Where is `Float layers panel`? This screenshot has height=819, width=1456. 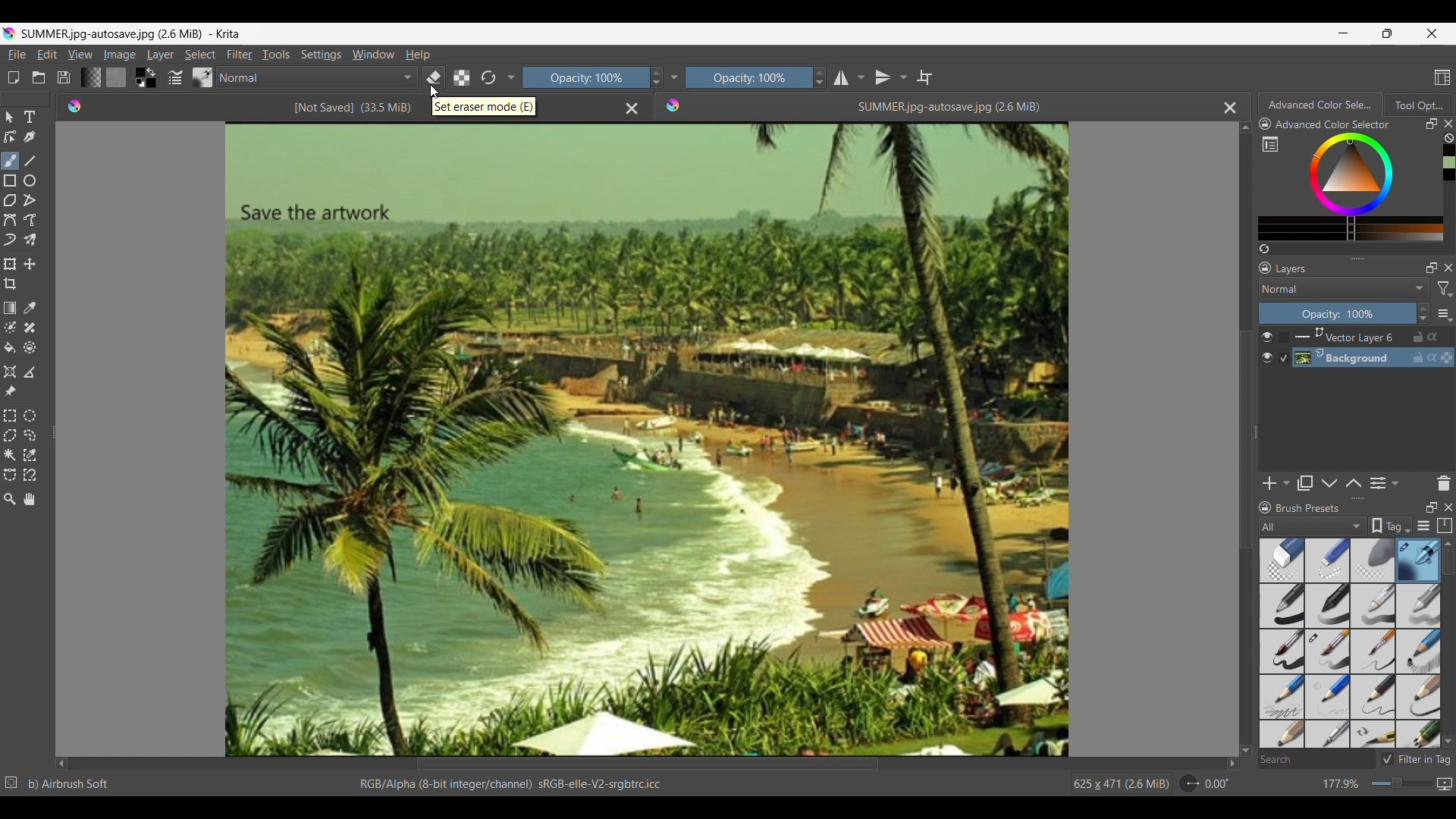
Float layers panel is located at coordinates (1428, 268).